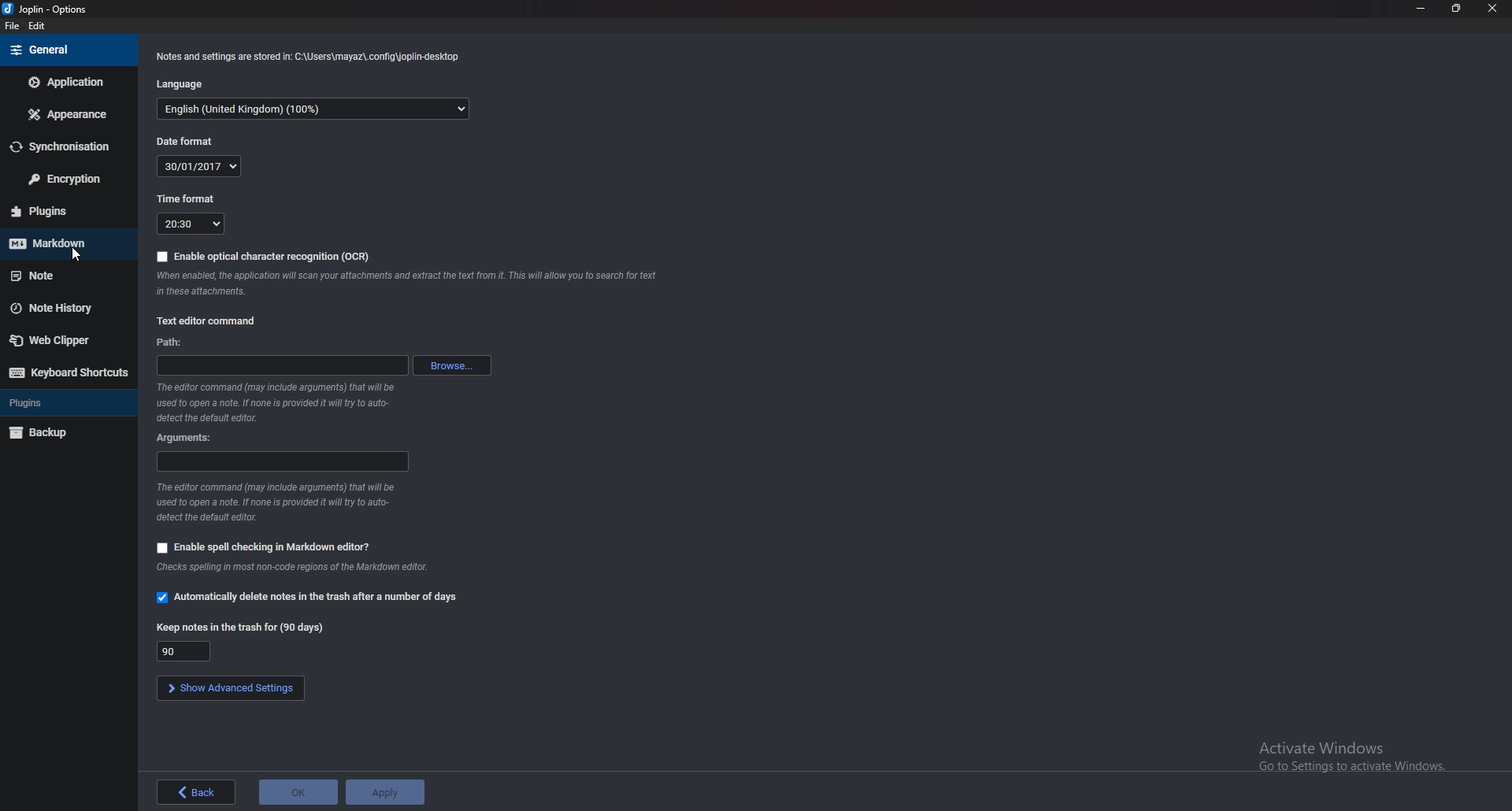  Describe the element at coordinates (77, 257) in the screenshot. I see `cursor` at that location.